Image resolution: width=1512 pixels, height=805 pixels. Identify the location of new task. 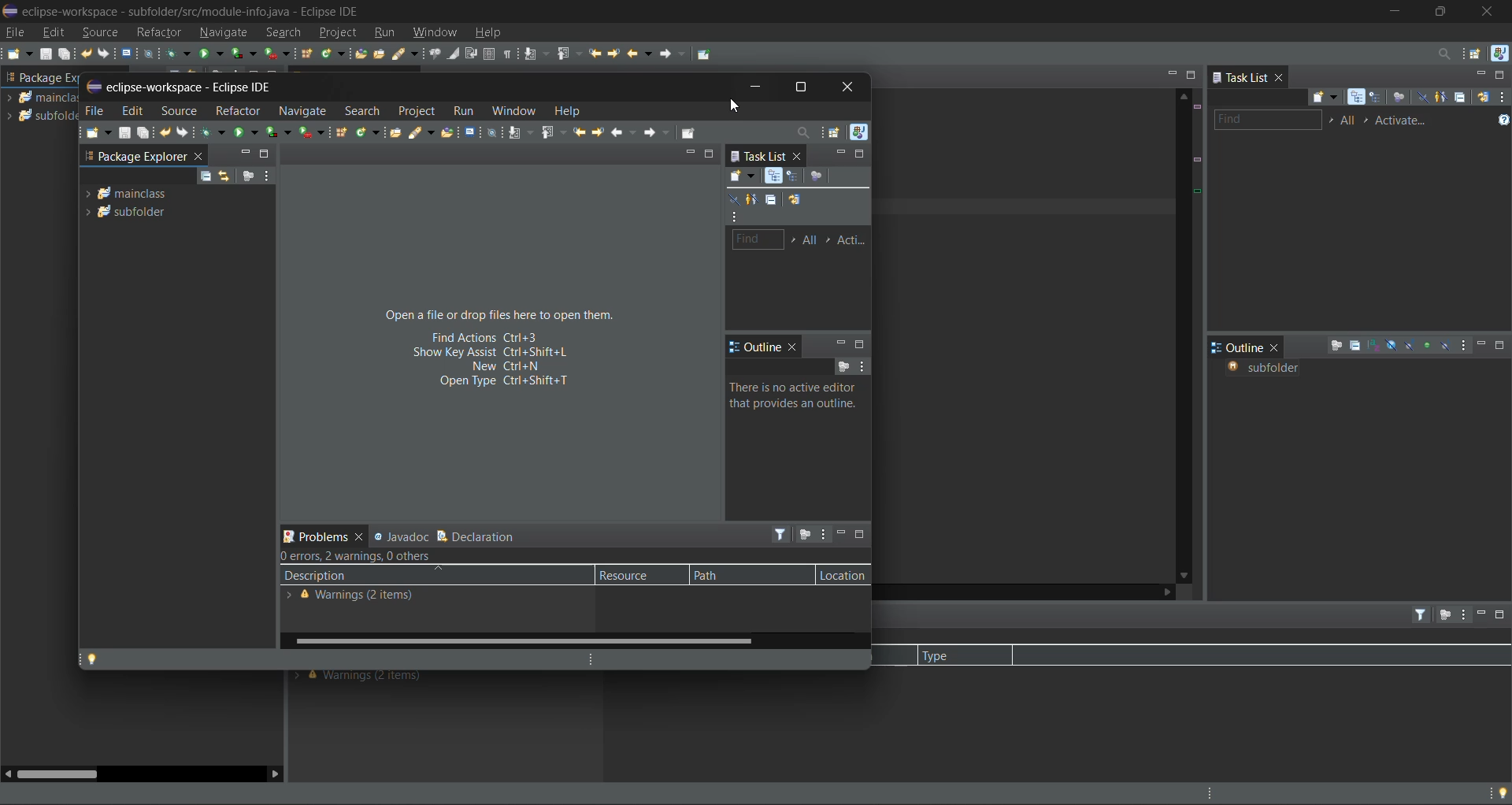
(1325, 97).